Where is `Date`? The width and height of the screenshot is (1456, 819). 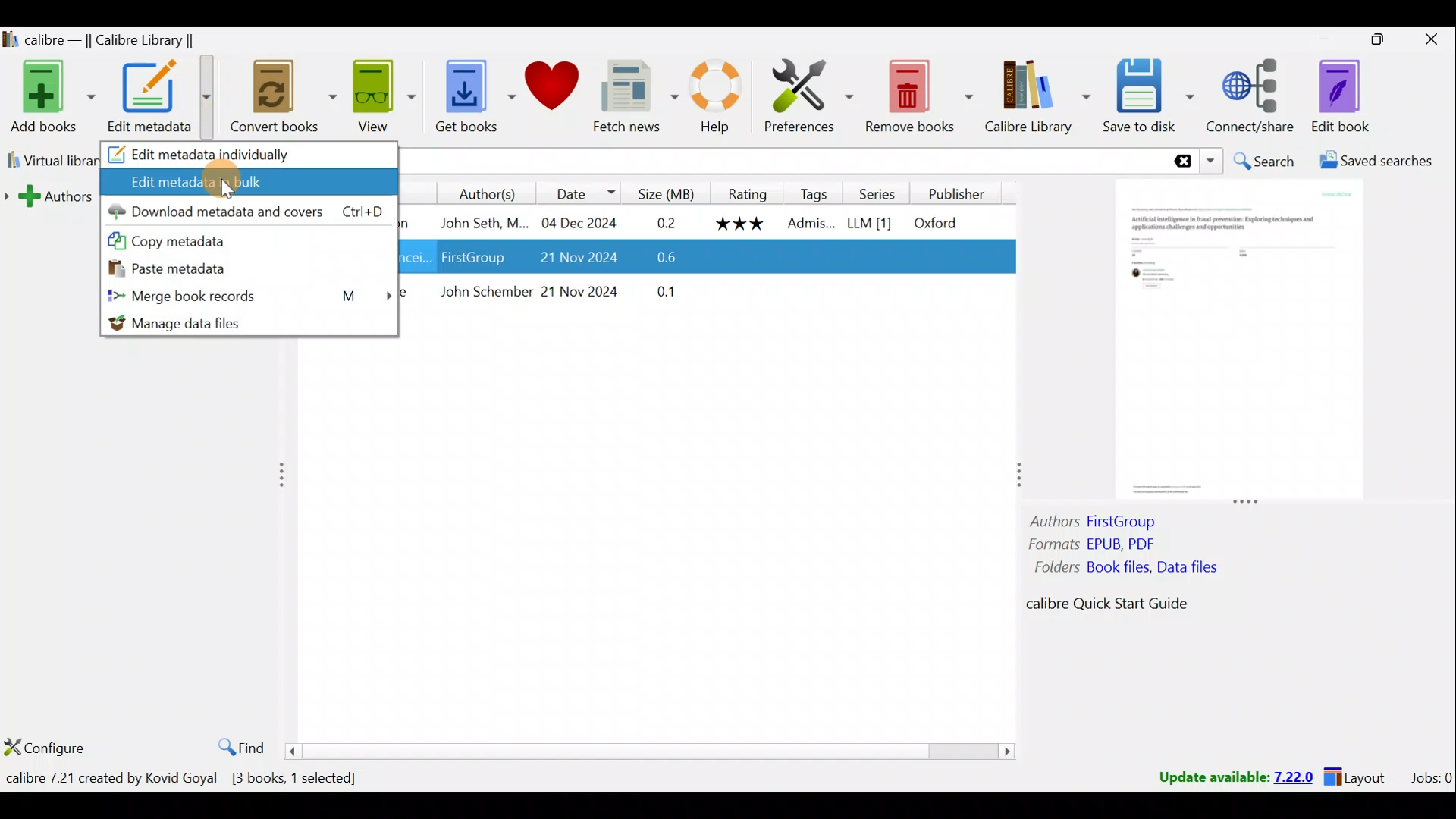 Date is located at coordinates (576, 193).